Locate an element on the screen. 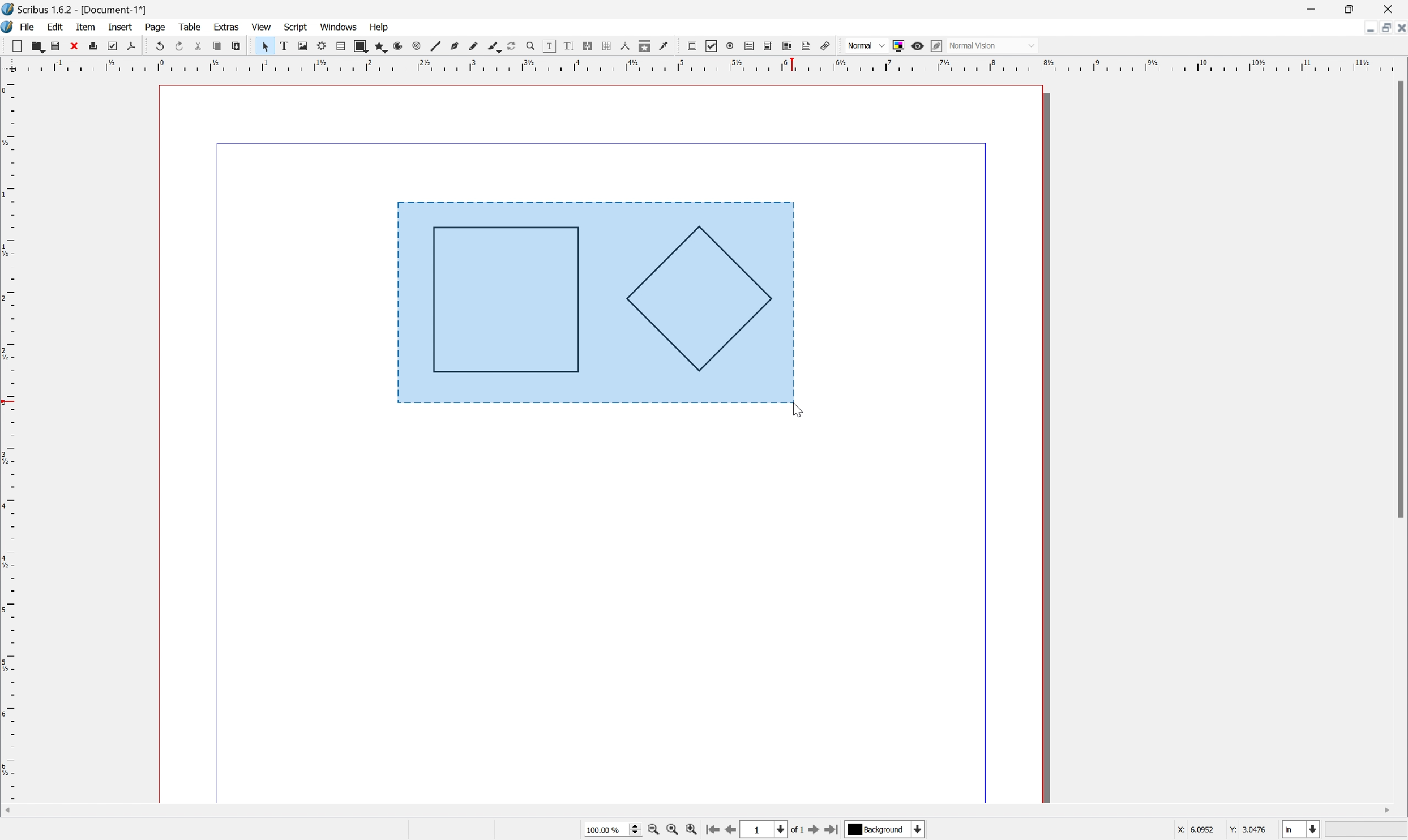 This screenshot has width=1408, height=840. pdf combo box is located at coordinates (768, 46).